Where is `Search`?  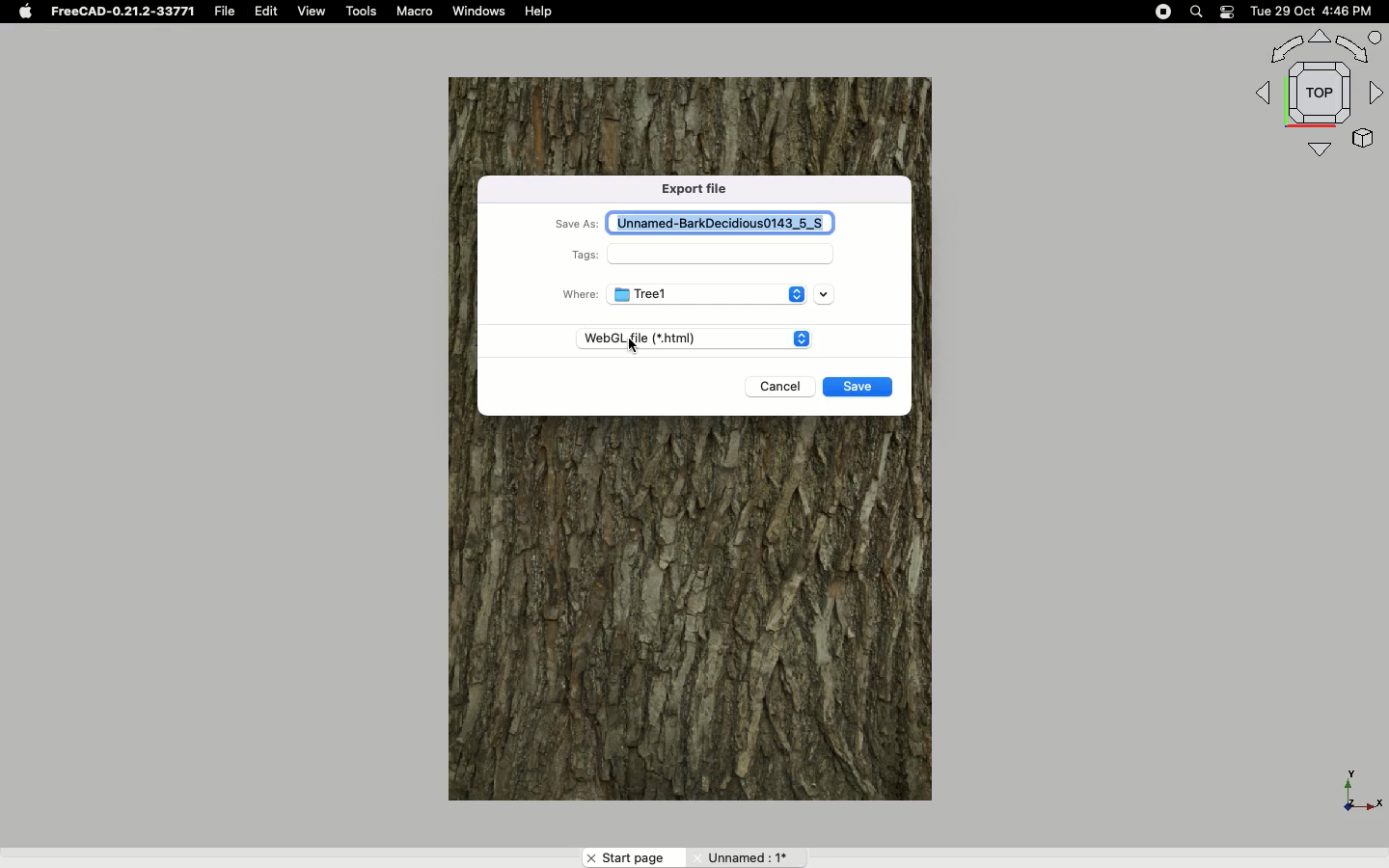
Search is located at coordinates (1197, 12).